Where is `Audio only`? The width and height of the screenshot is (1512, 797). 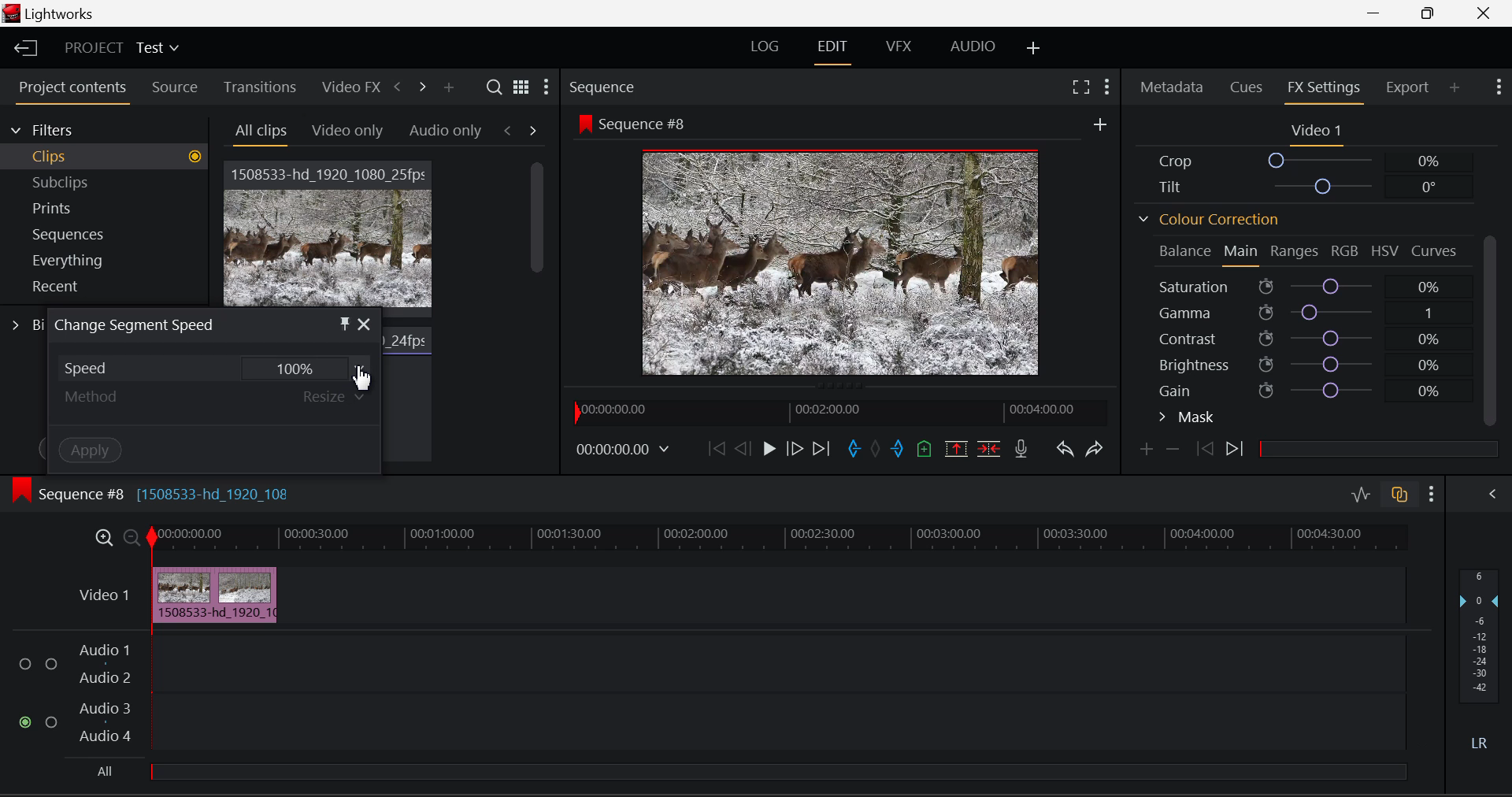
Audio only is located at coordinates (445, 132).